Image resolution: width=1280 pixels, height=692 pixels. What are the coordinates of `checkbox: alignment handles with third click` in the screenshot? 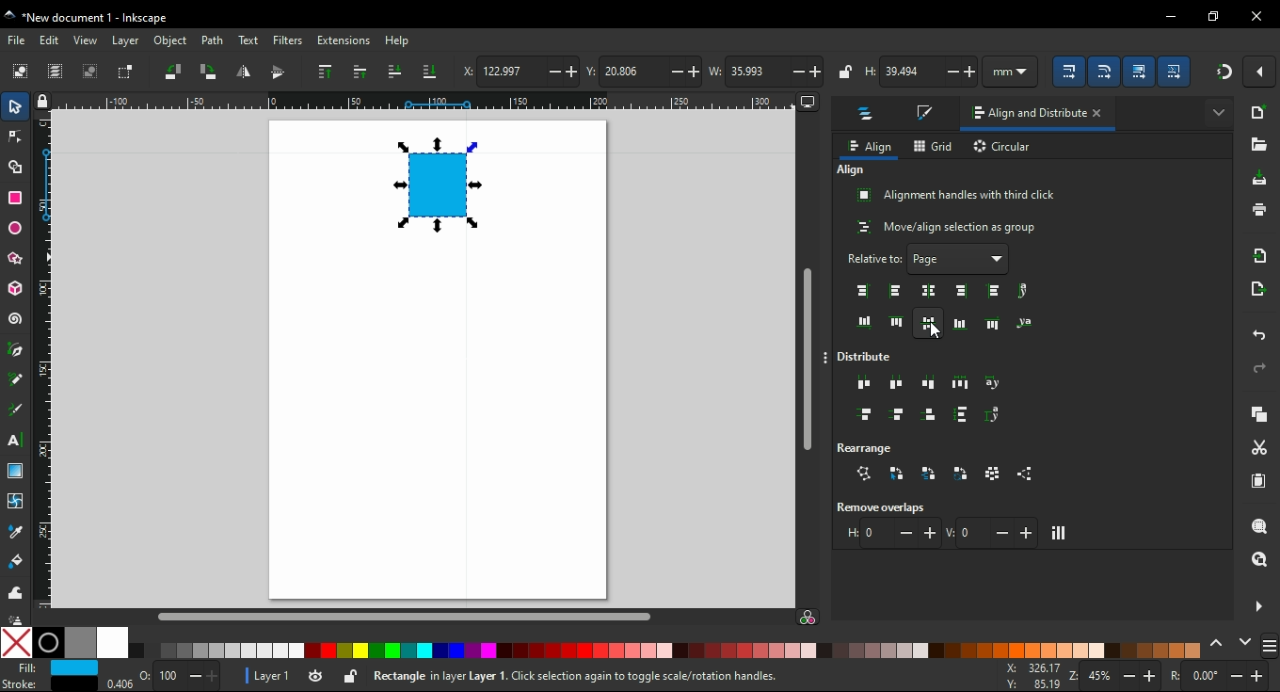 It's located at (957, 195).